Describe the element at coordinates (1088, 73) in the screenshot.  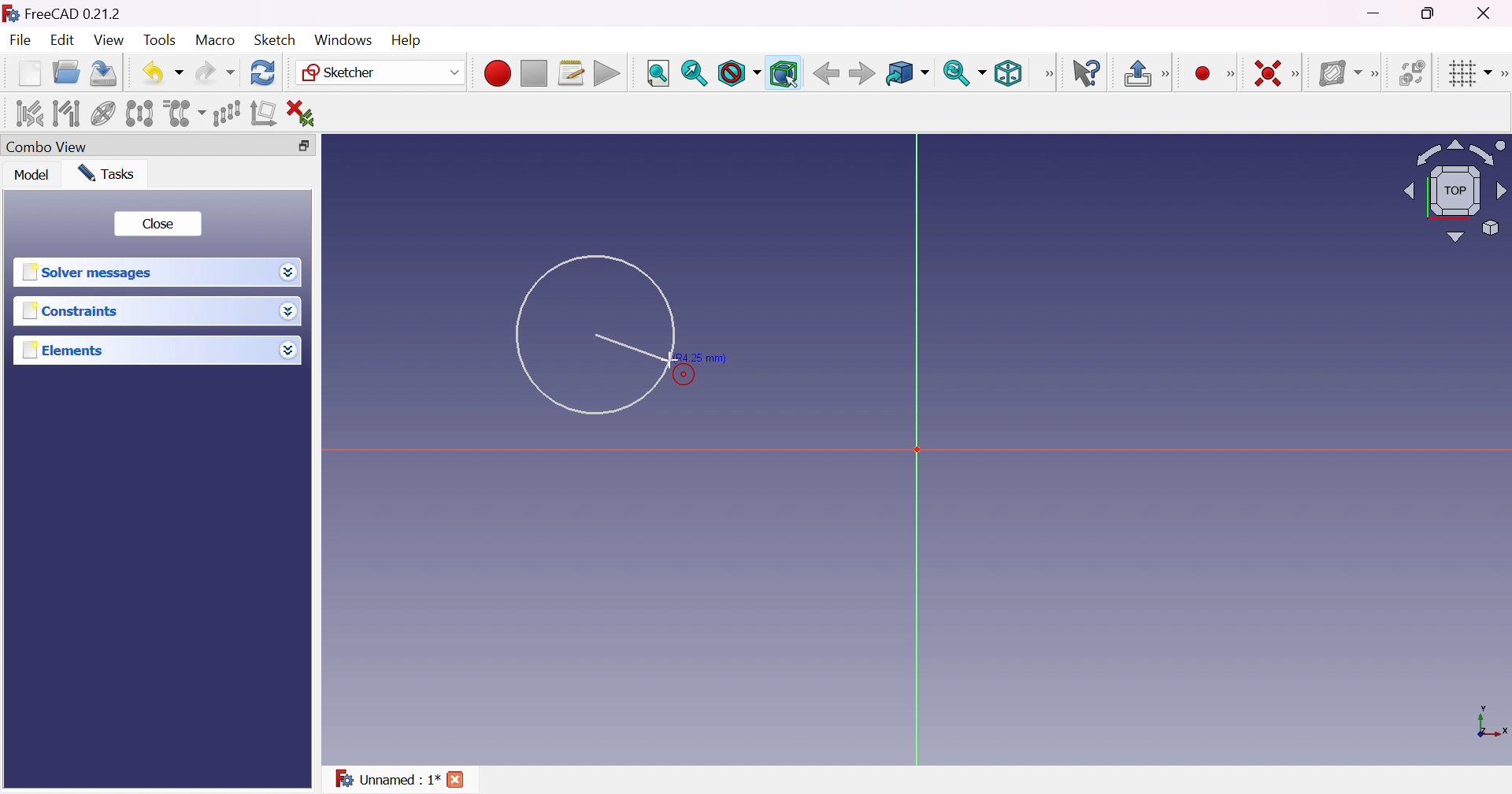
I see `What's this?` at that location.